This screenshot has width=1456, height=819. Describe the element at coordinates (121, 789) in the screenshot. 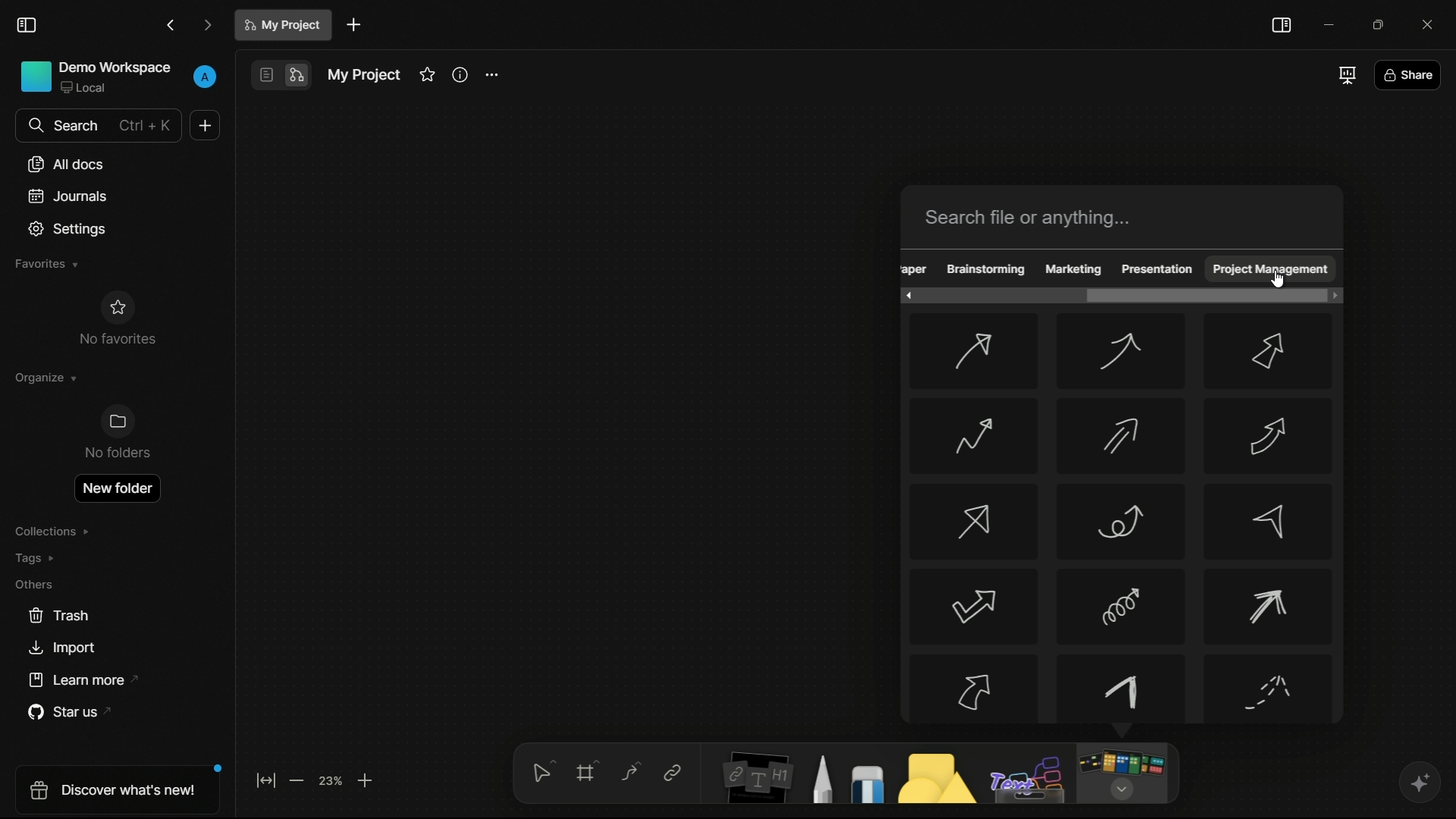

I see `discover what's new` at that location.